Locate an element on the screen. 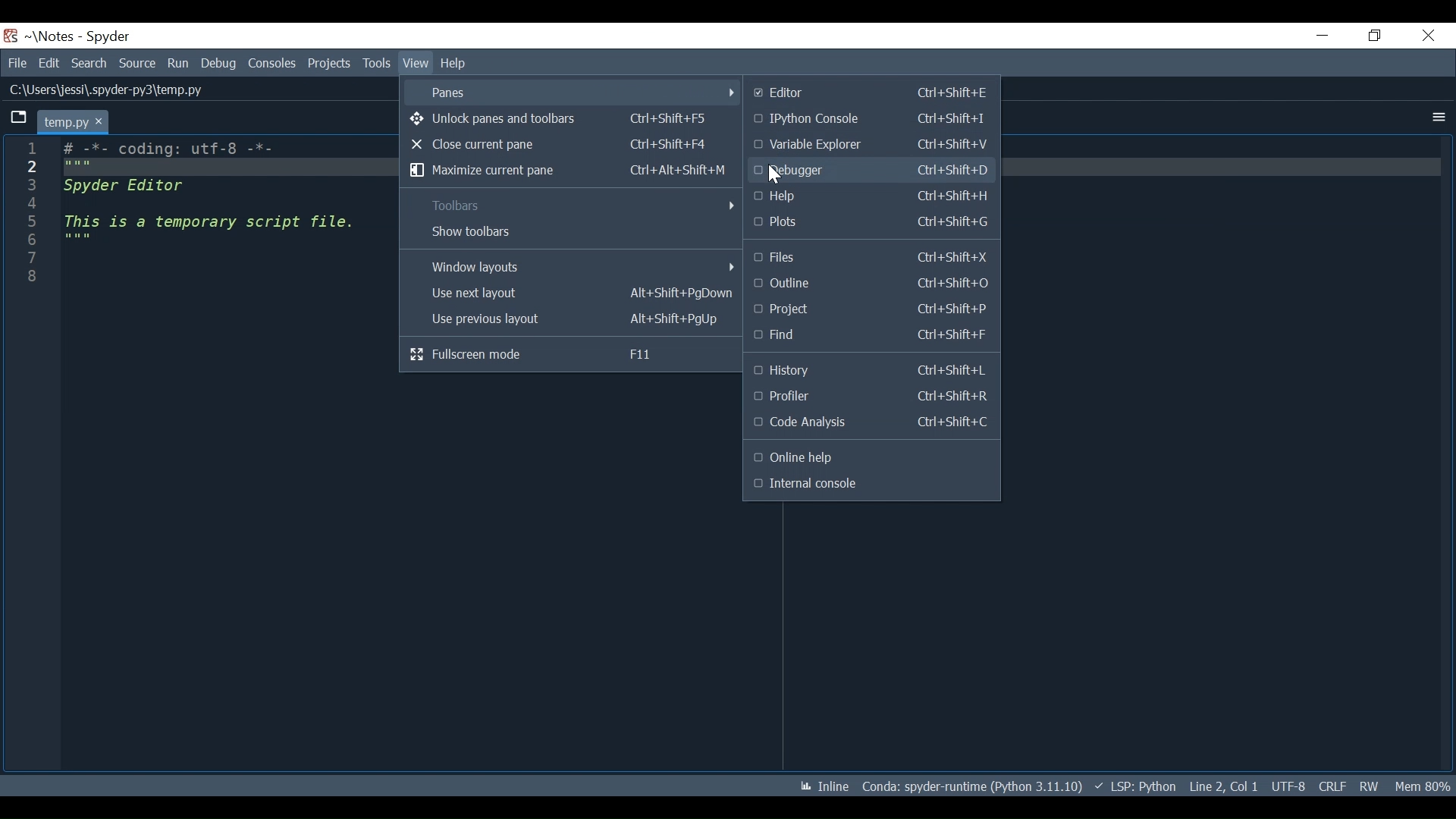 The width and height of the screenshot is (1456, 819). Search is located at coordinates (91, 63).